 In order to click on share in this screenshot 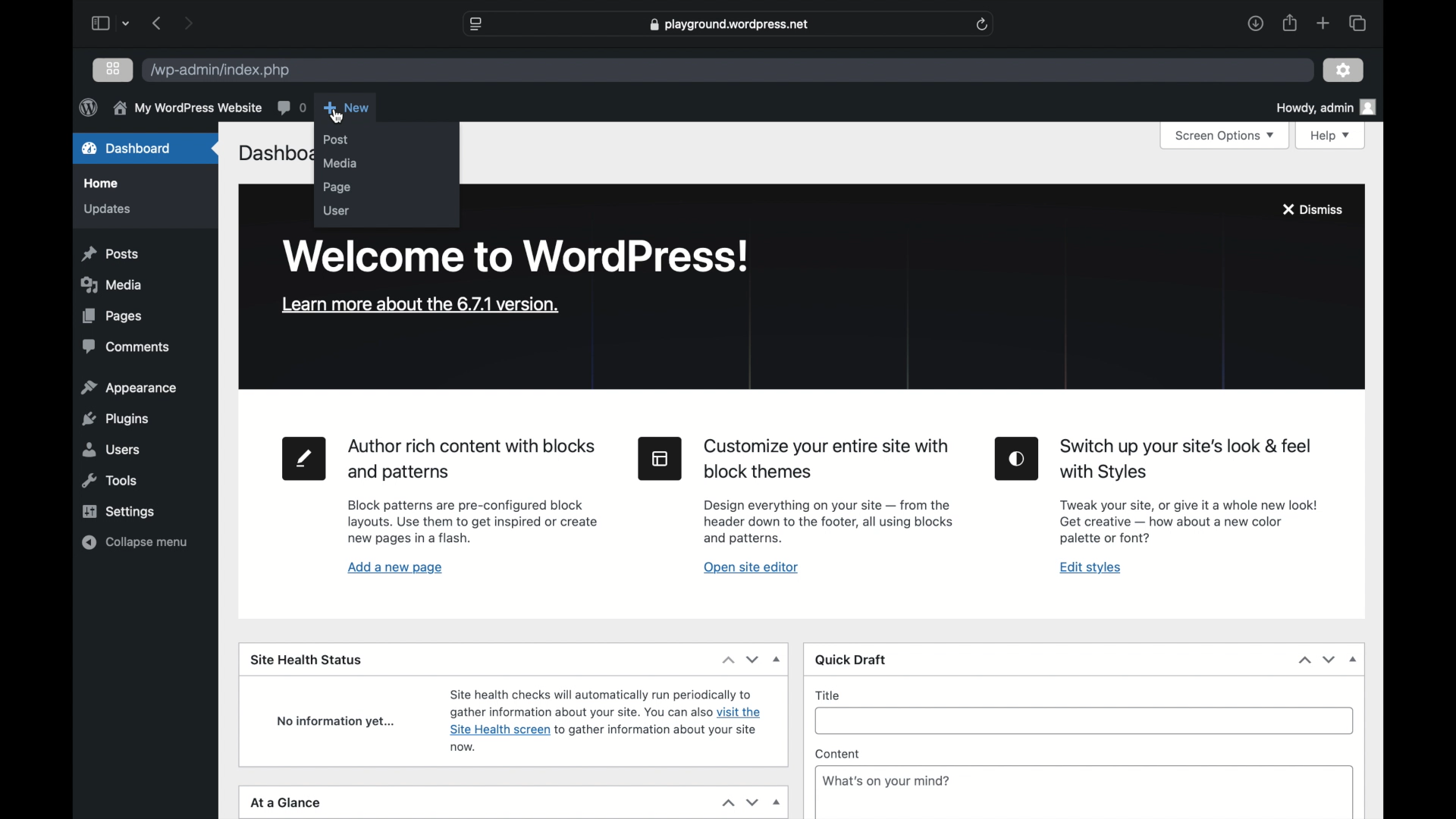, I will do `click(1288, 24)`.